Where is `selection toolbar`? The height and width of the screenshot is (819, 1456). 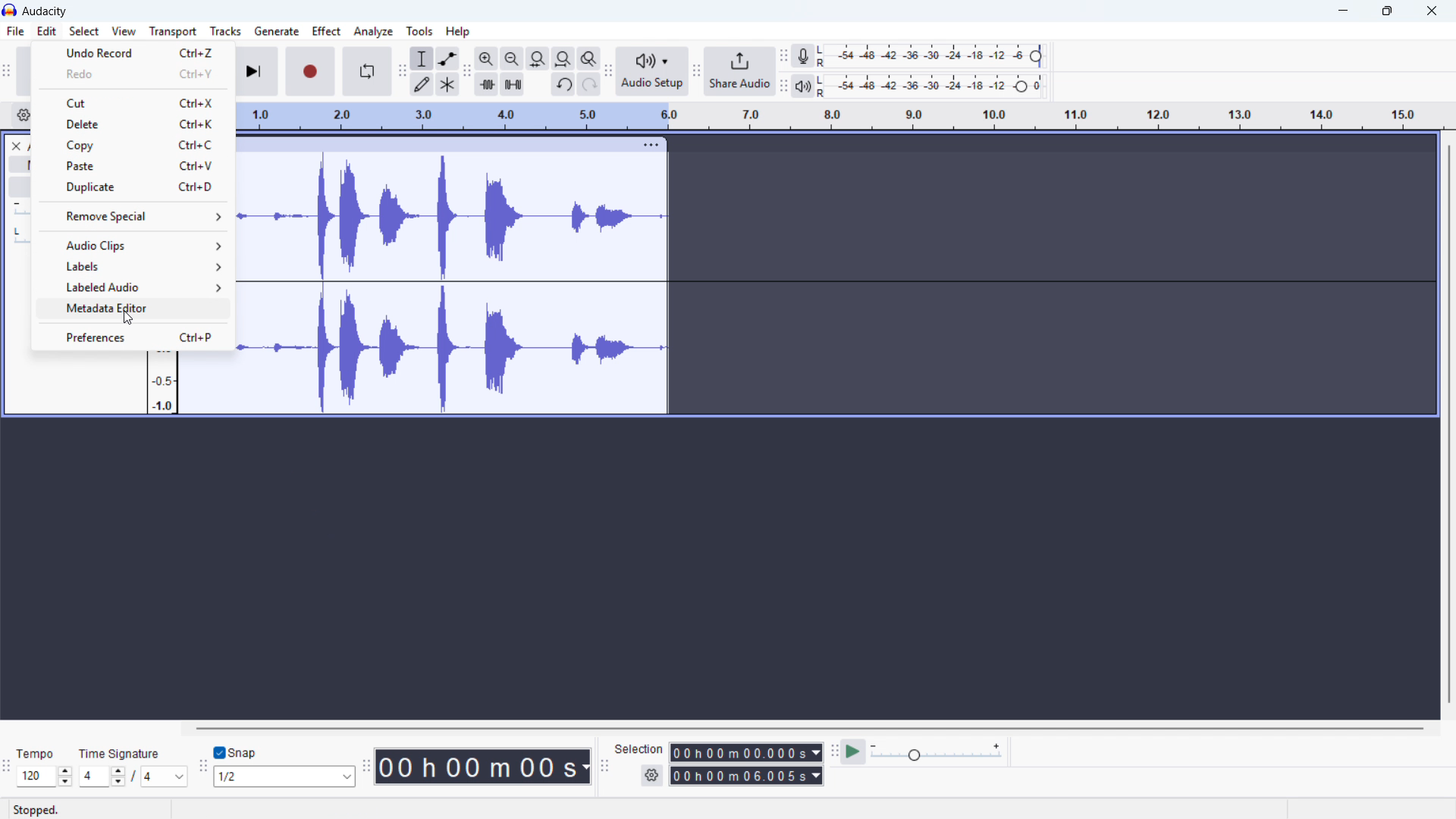 selection toolbar is located at coordinates (604, 767).